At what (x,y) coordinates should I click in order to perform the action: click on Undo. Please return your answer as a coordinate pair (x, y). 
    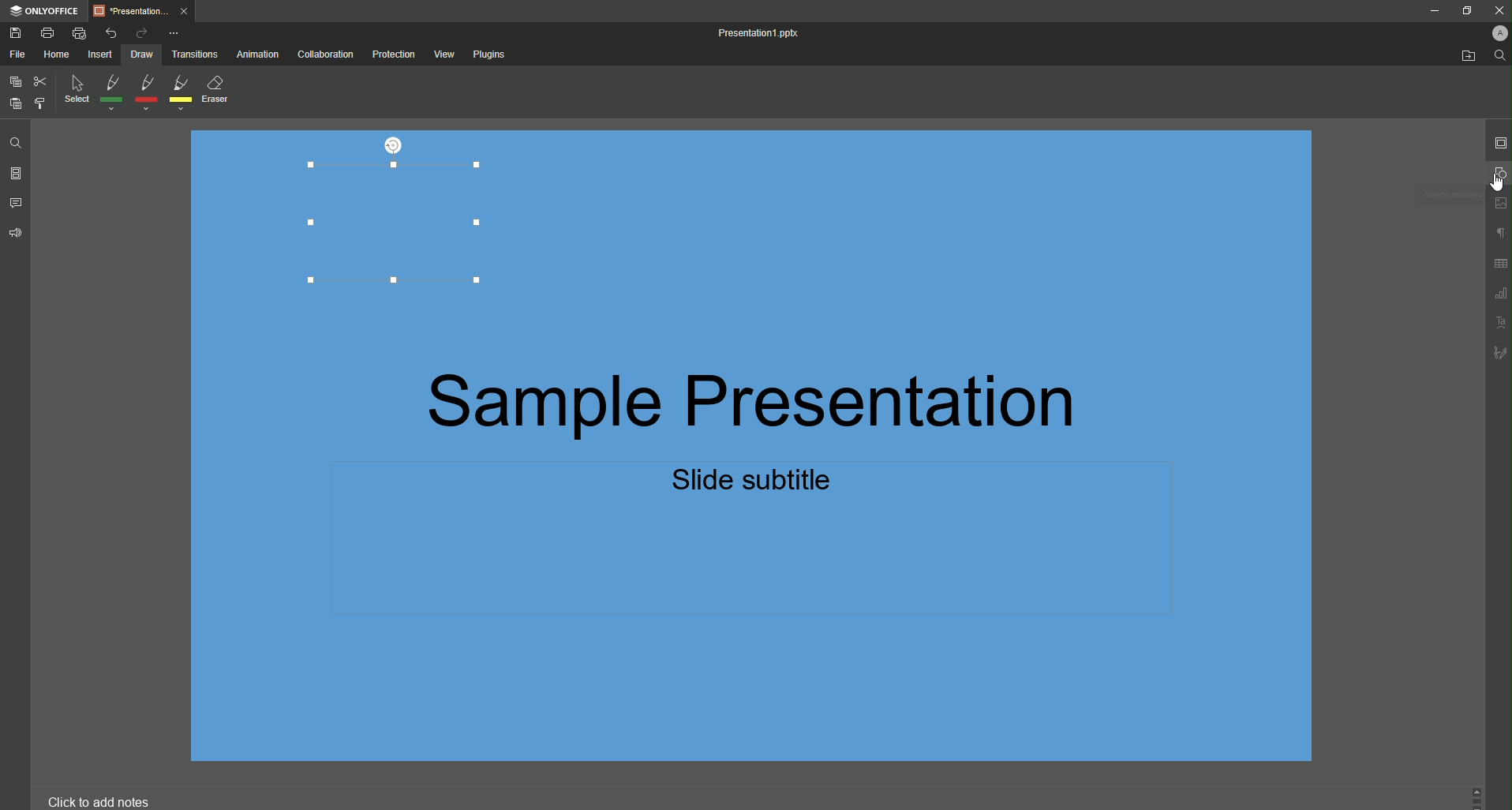
    Looking at the image, I should click on (111, 31).